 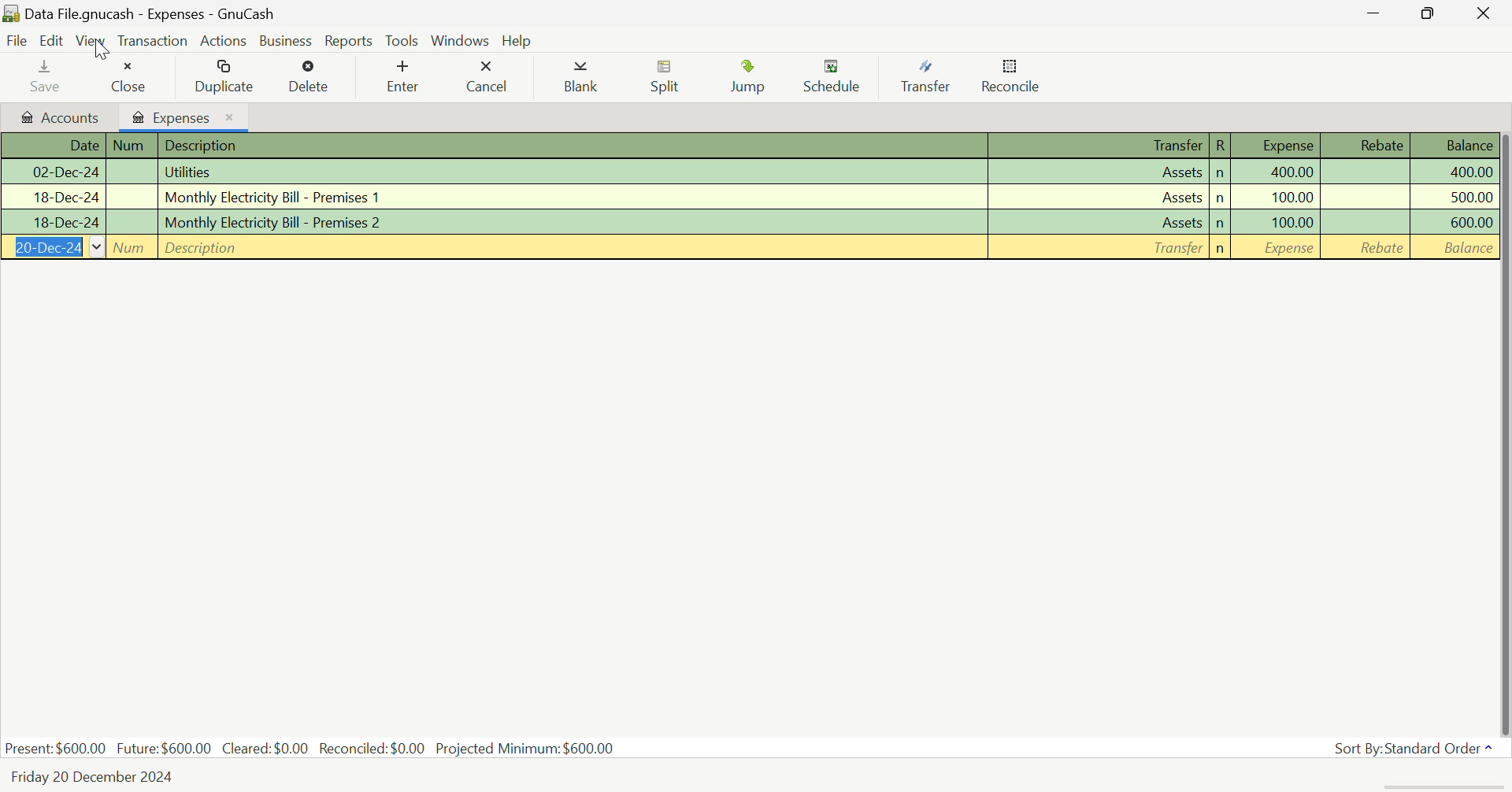 I want to click on Expenses Tab, so click(x=185, y=116).